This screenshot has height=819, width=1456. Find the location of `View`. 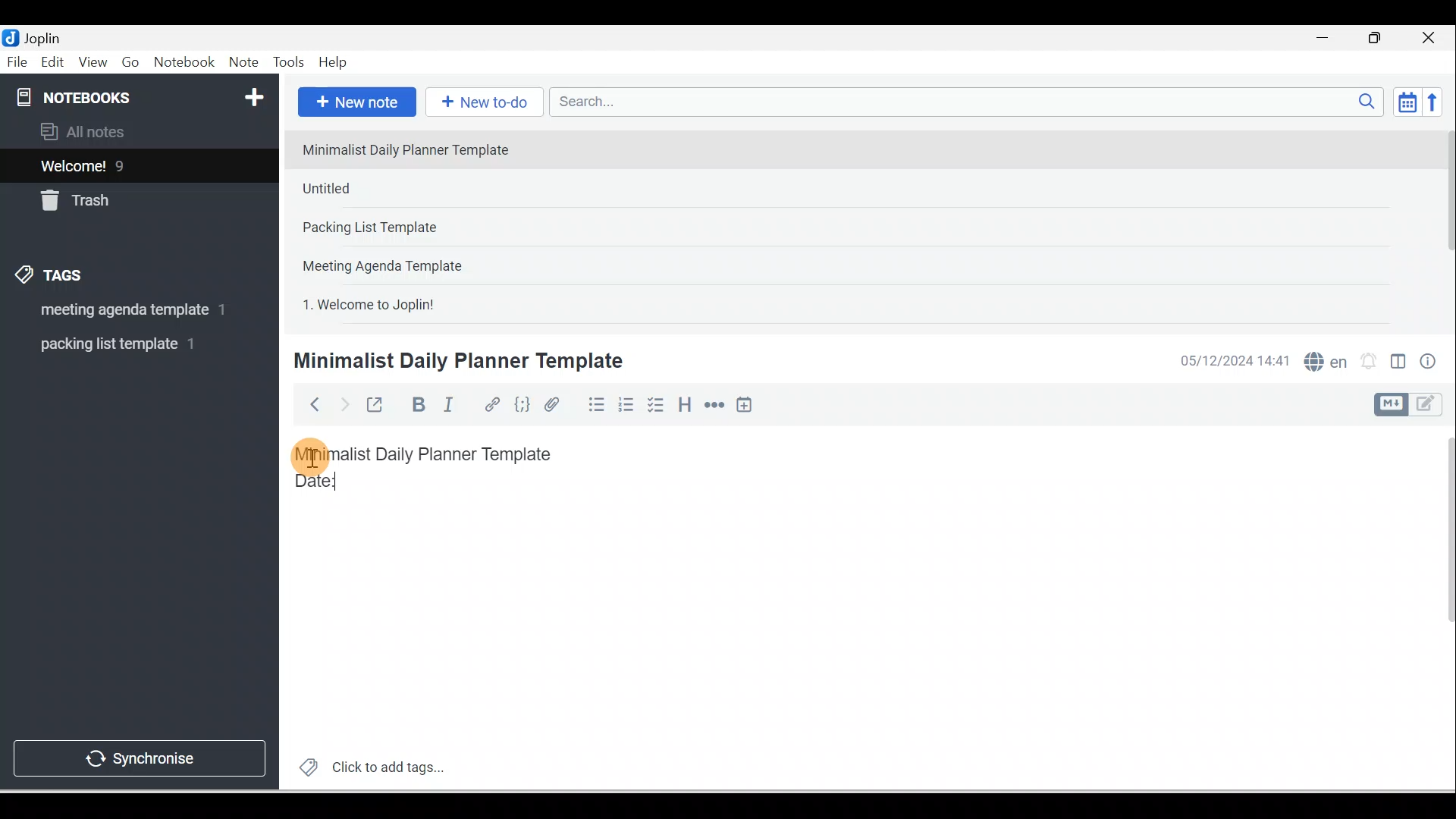

View is located at coordinates (93, 63).